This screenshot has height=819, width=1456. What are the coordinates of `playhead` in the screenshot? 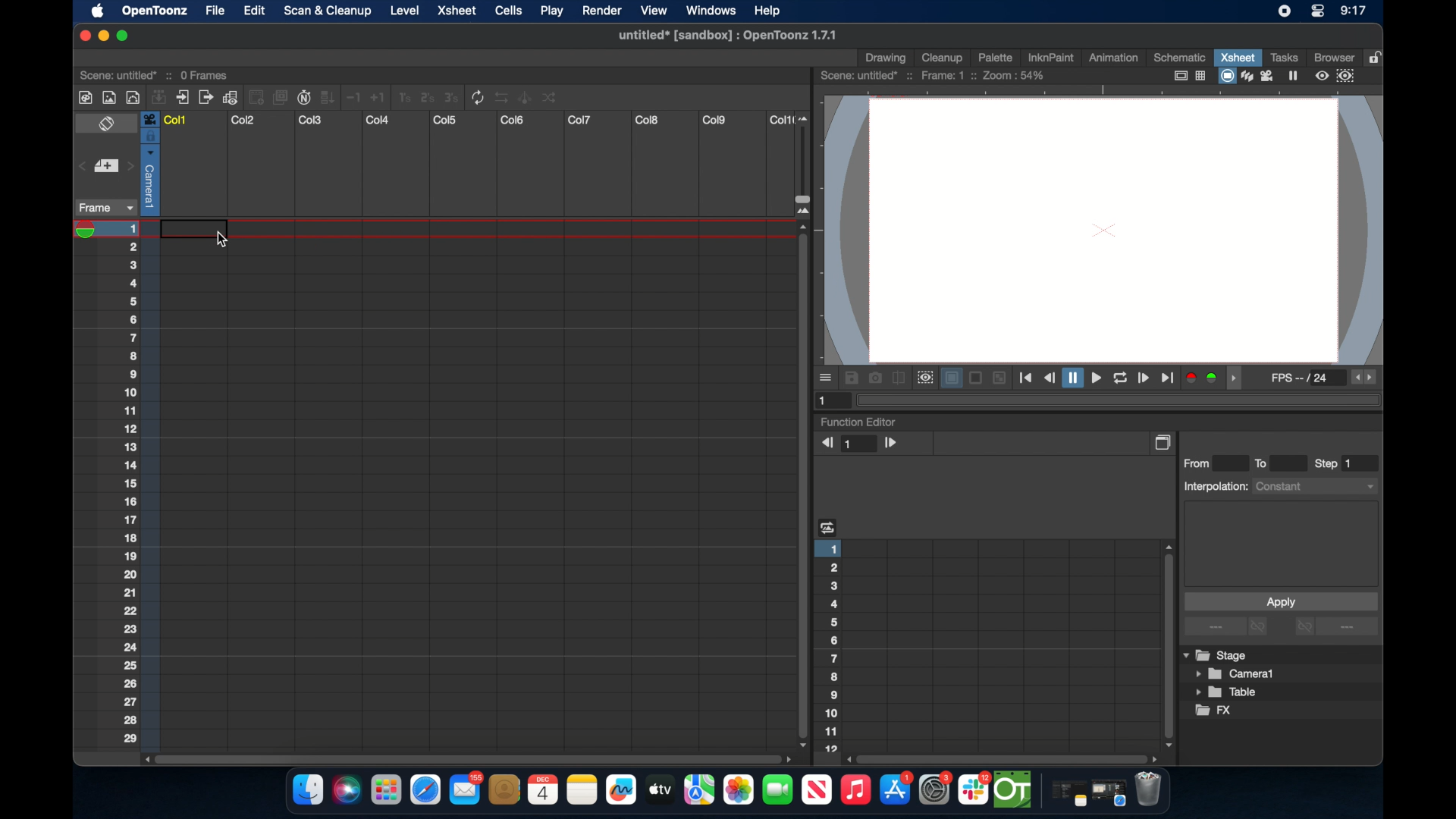 It's located at (90, 230).